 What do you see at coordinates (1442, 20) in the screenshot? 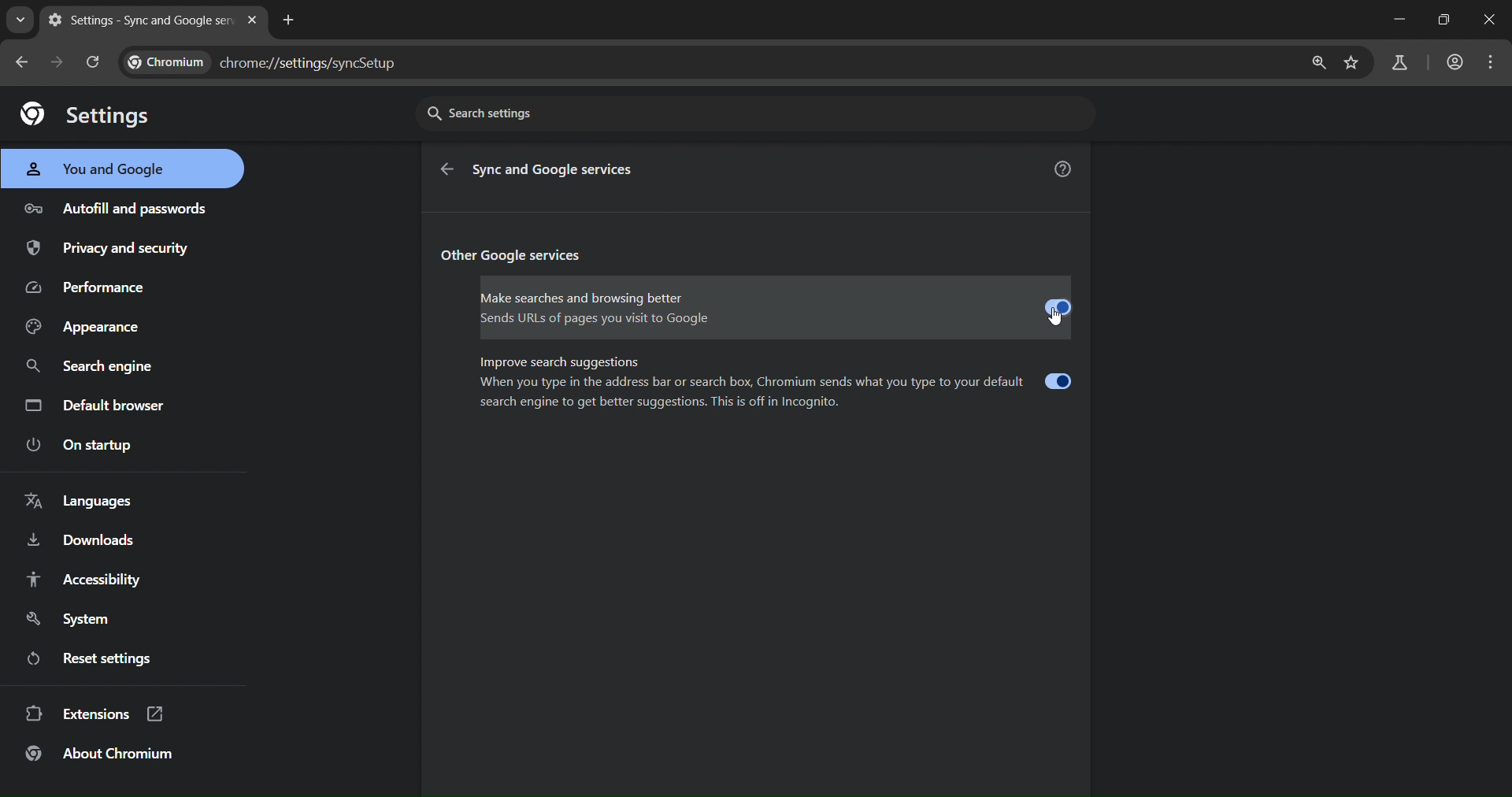
I see `restore down` at bounding box center [1442, 20].